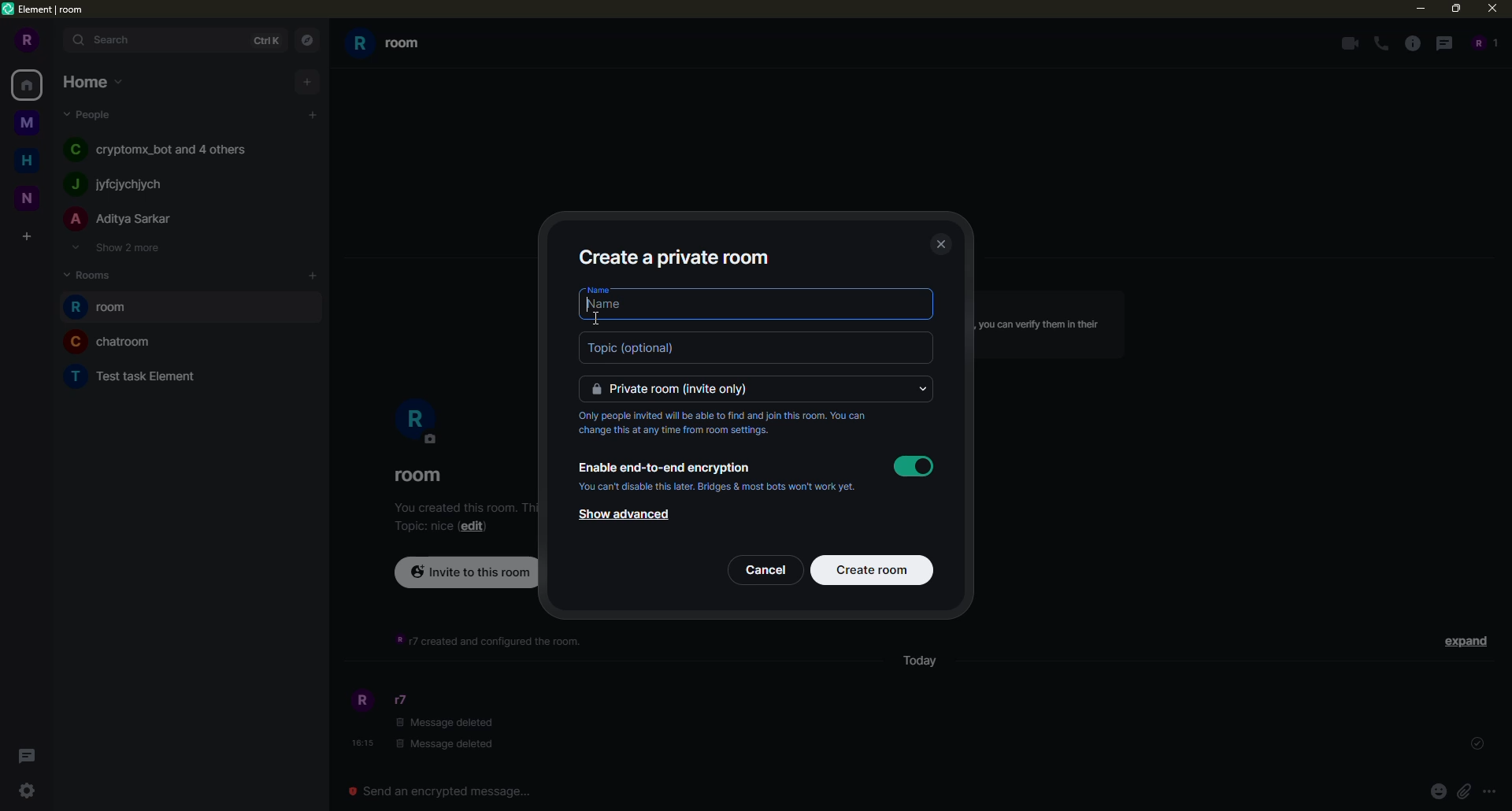 The width and height of the screenshot is (1512, 811). What do you see at coordinates (668, 465) in the screenshot?
I see `enable encryption` at bounding box center [668, 465].